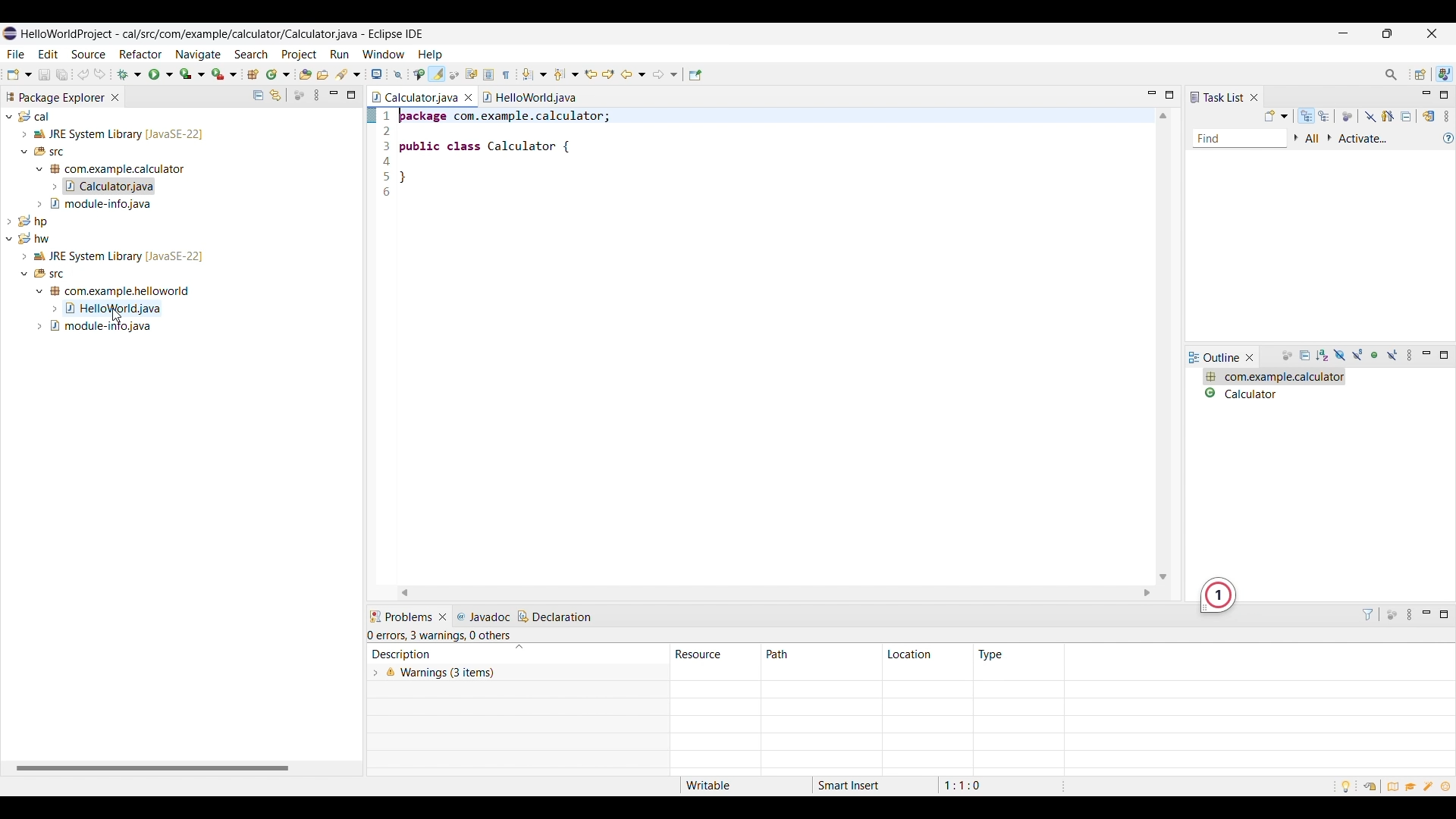 This screenshot has width=1456, height=819. I want to click on Pin editor, so click(695, 75).